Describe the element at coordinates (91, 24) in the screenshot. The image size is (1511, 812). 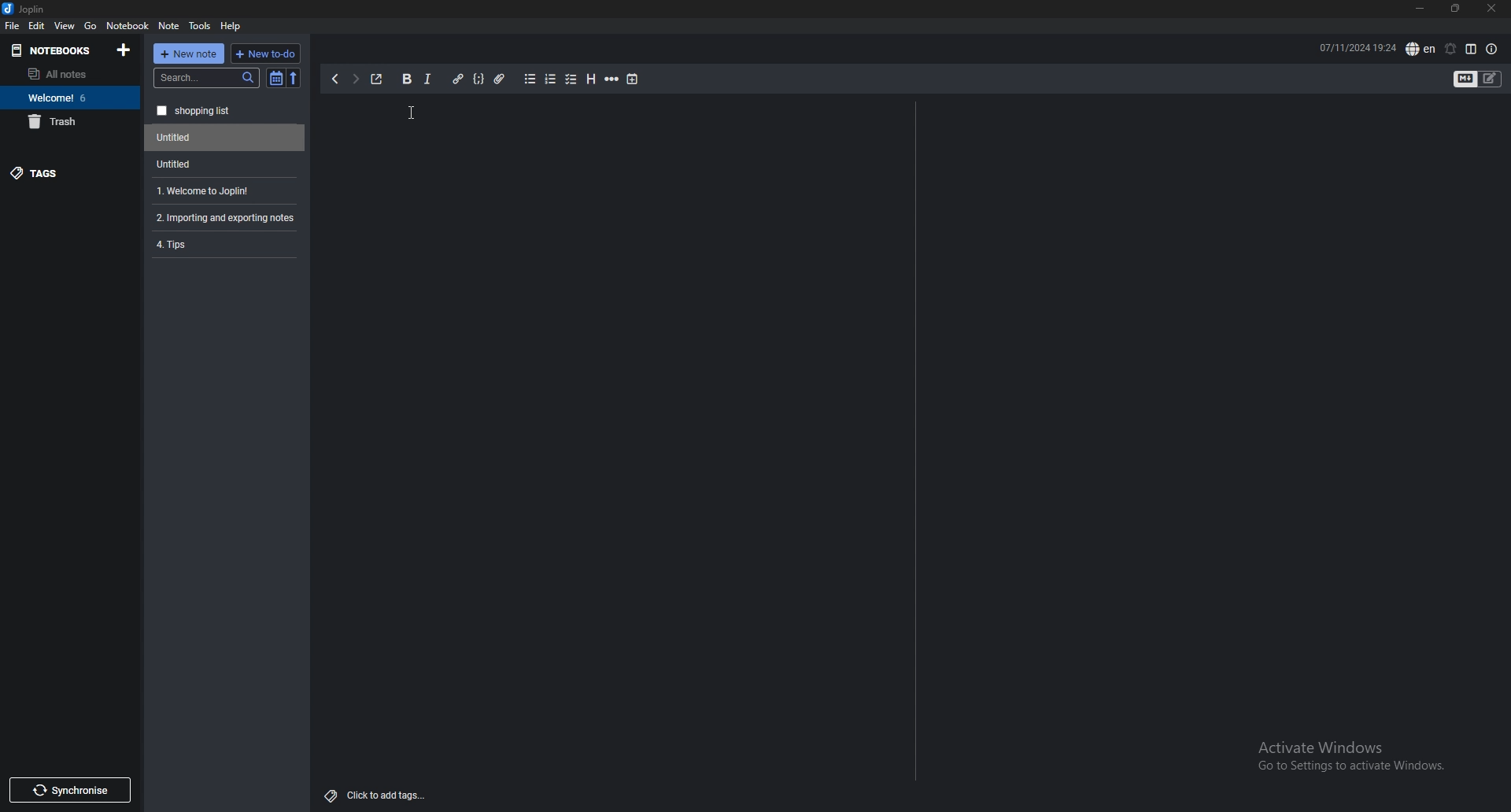
I see `go` at that location.